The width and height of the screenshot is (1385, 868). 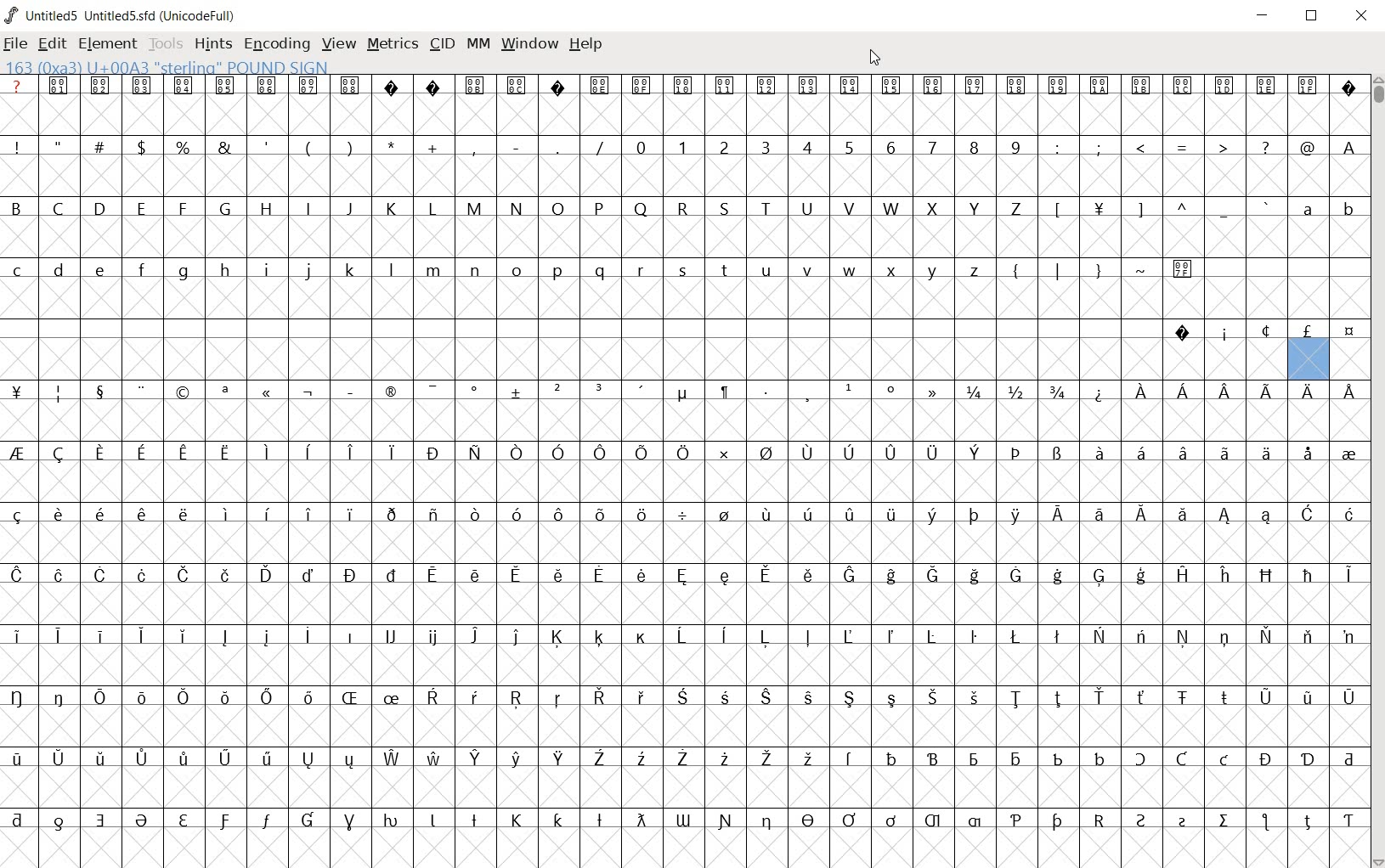 What do you see at coordinates (309, 86) in the screenshot?
I see `Symbol` at bounding box center [309, 86].